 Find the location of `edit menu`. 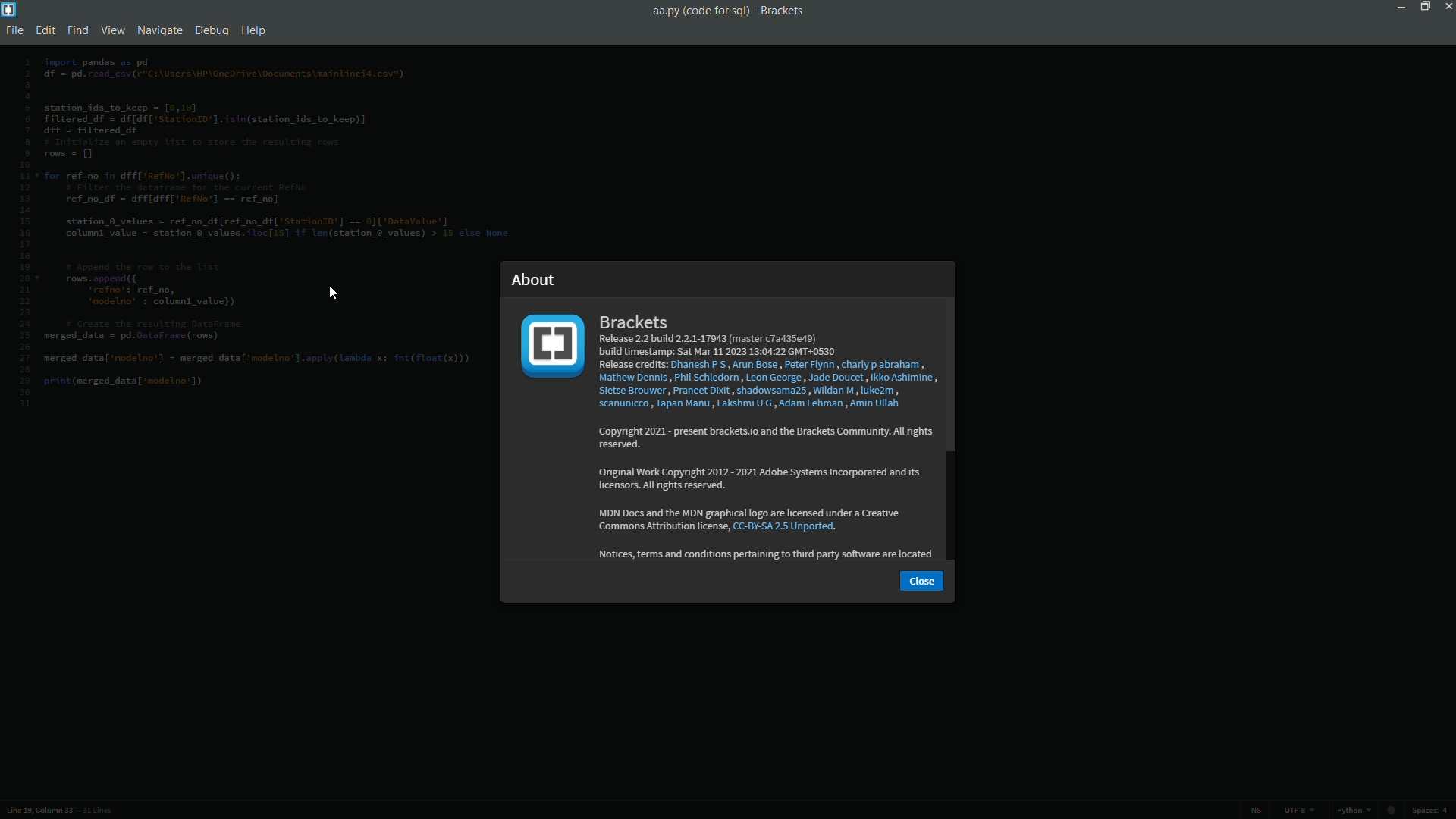

edit menu is located at coordinates (45, 30).